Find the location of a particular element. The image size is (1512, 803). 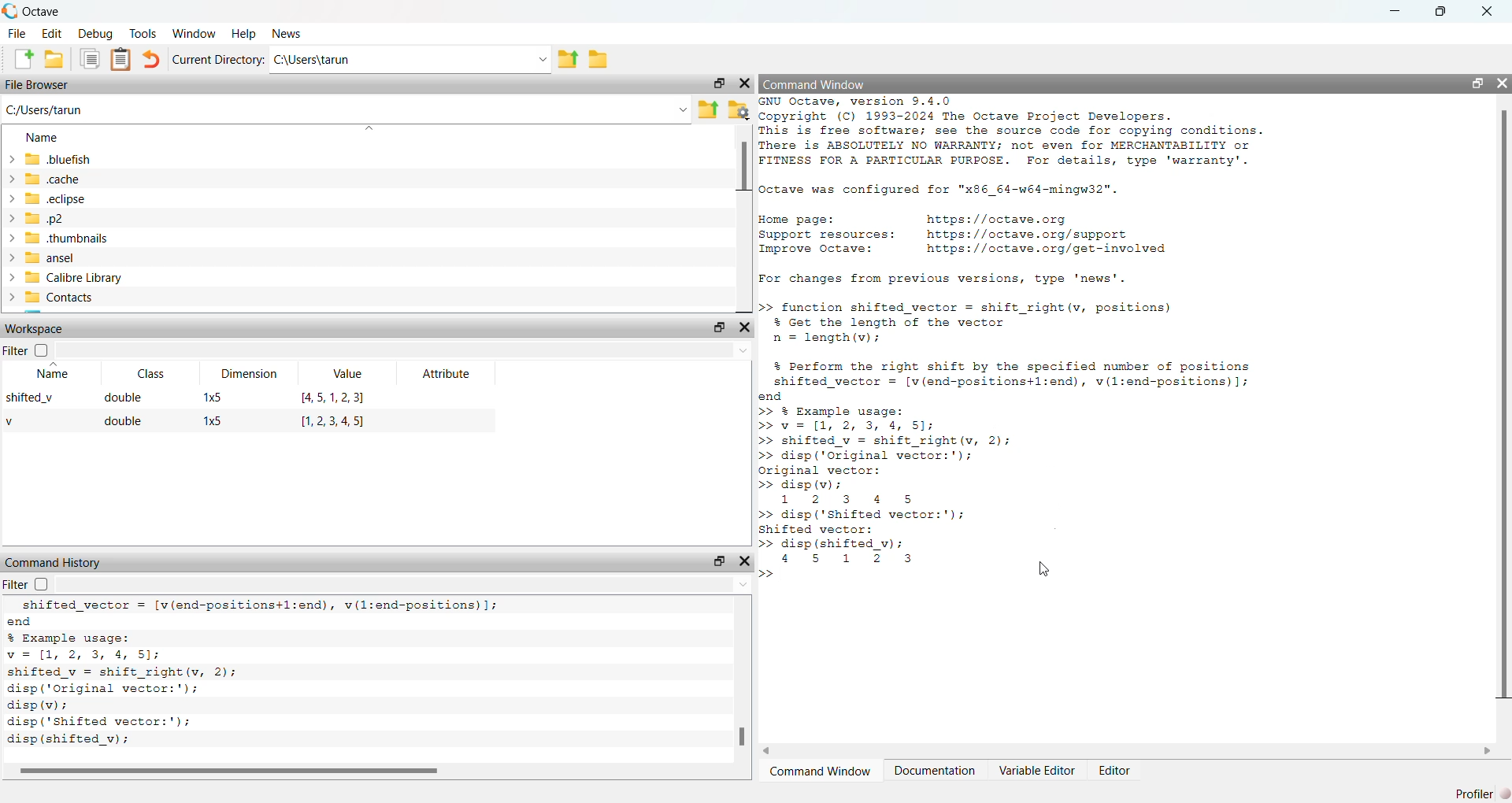

tools is located at coordinates (142, 34).